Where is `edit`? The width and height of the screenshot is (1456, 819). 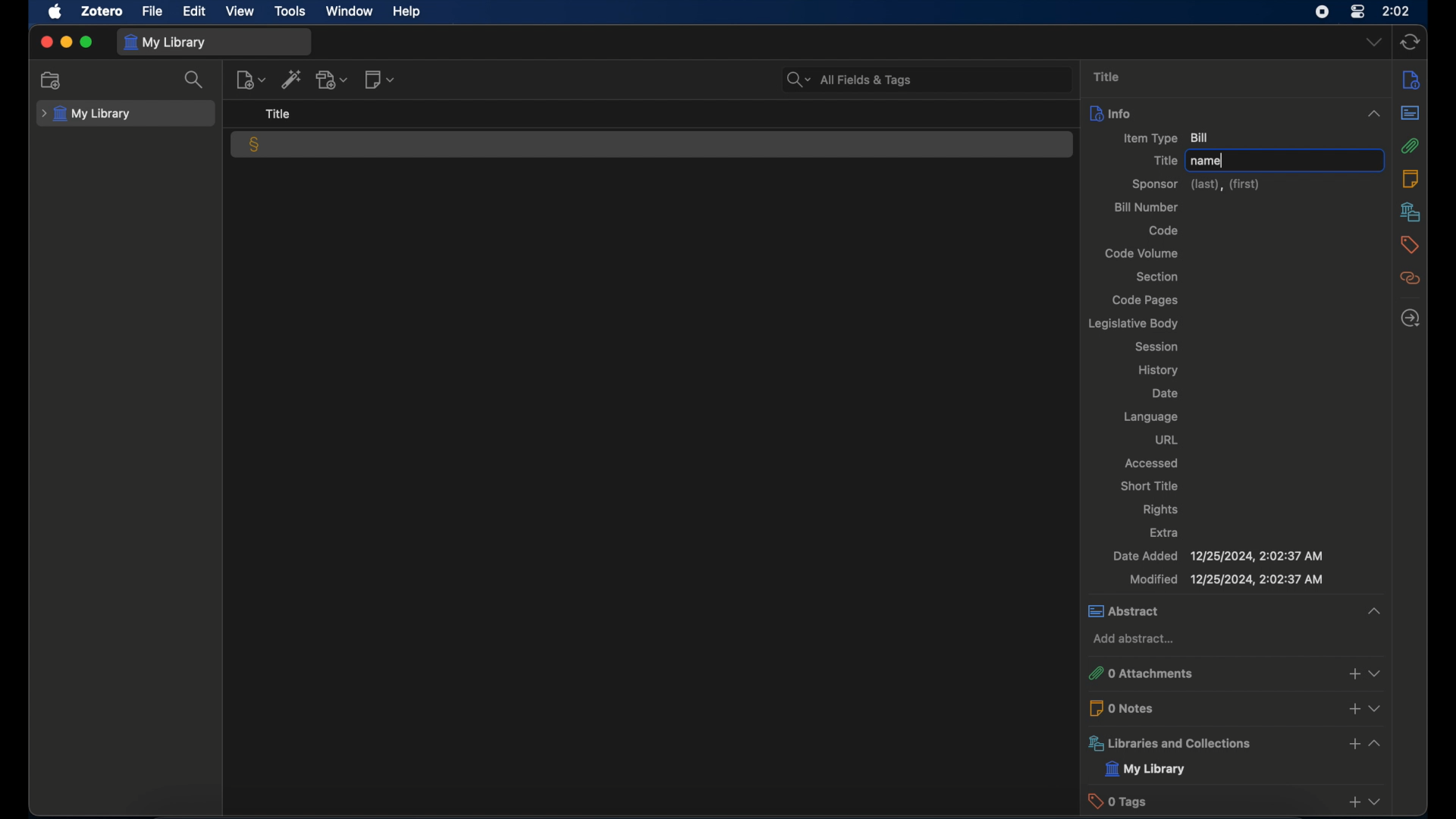
edit is located at coordinates (196, 11).